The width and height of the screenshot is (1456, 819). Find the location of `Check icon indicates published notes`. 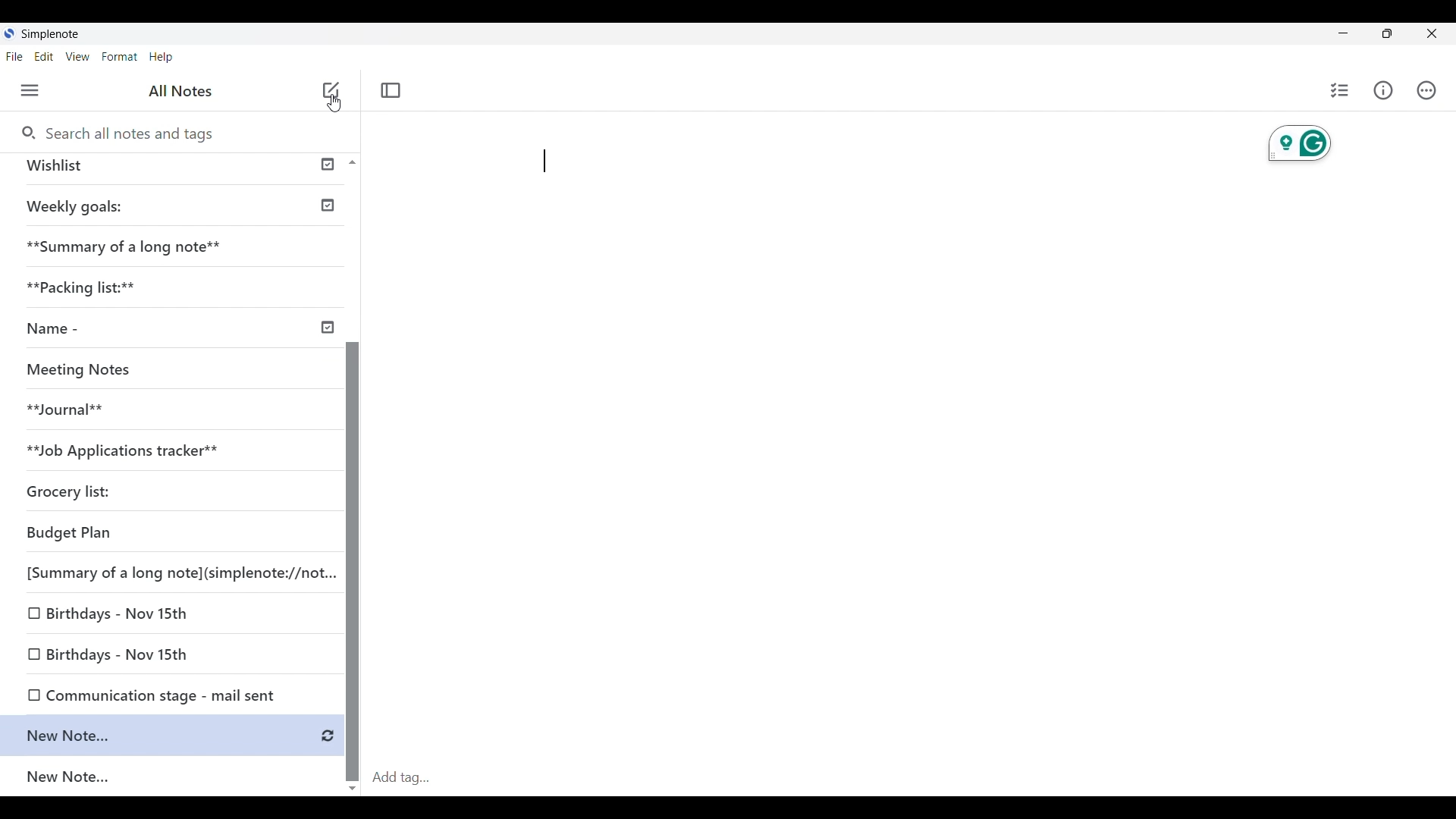

Check icon indicates published notes is located at coordinates (331, 262).